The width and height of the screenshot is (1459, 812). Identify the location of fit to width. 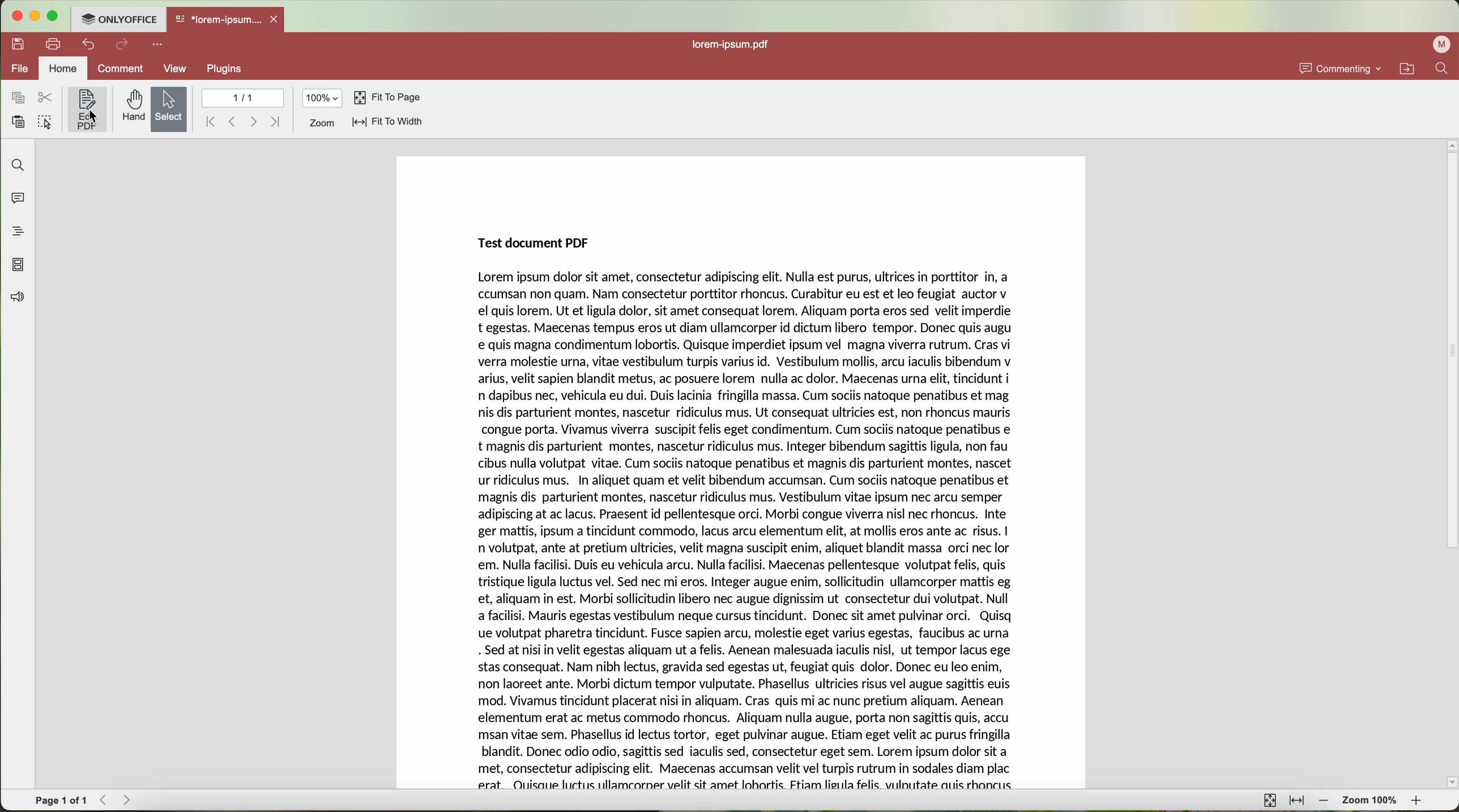
(387, 121).